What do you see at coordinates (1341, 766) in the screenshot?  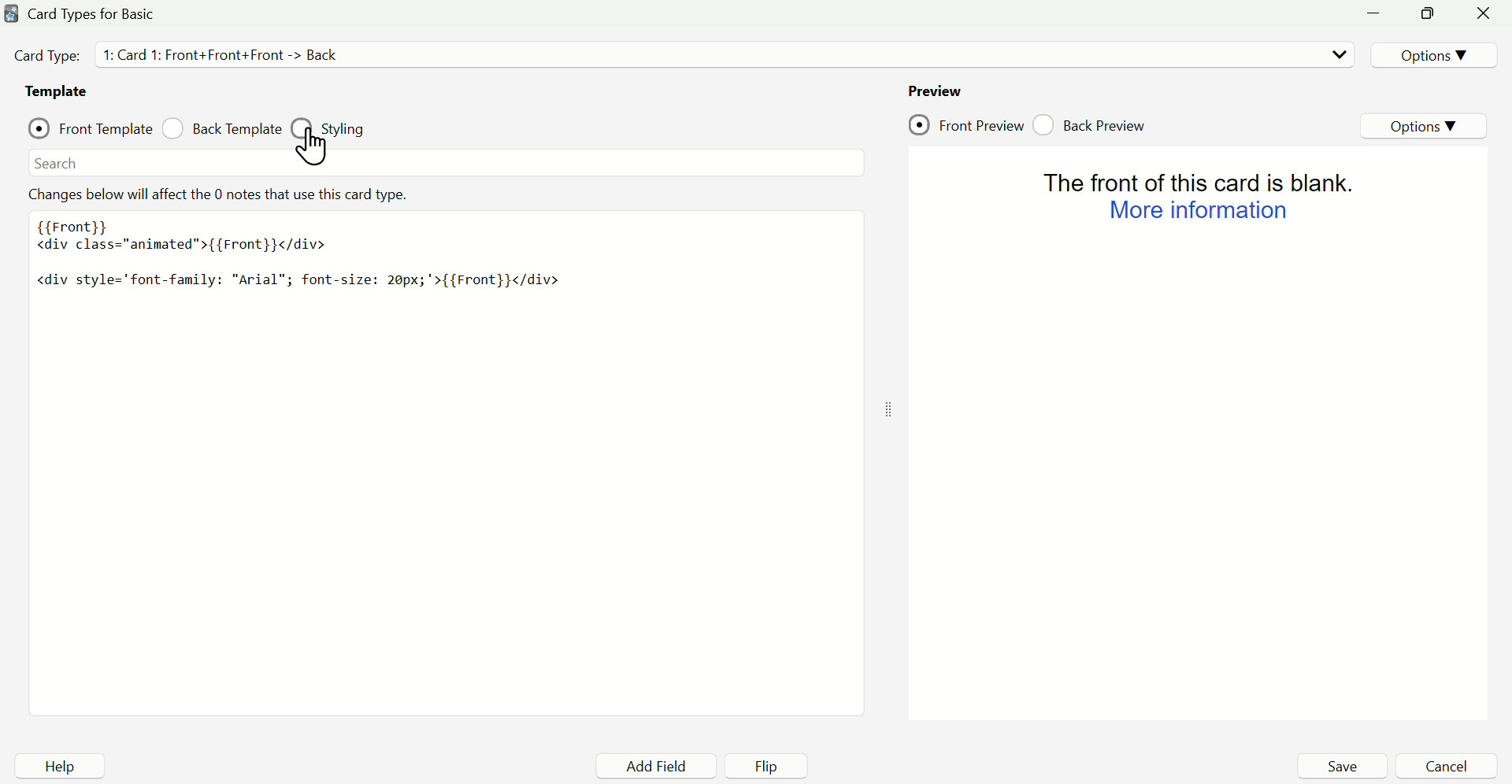 I see `Save` at bounding box center [1341, 766].